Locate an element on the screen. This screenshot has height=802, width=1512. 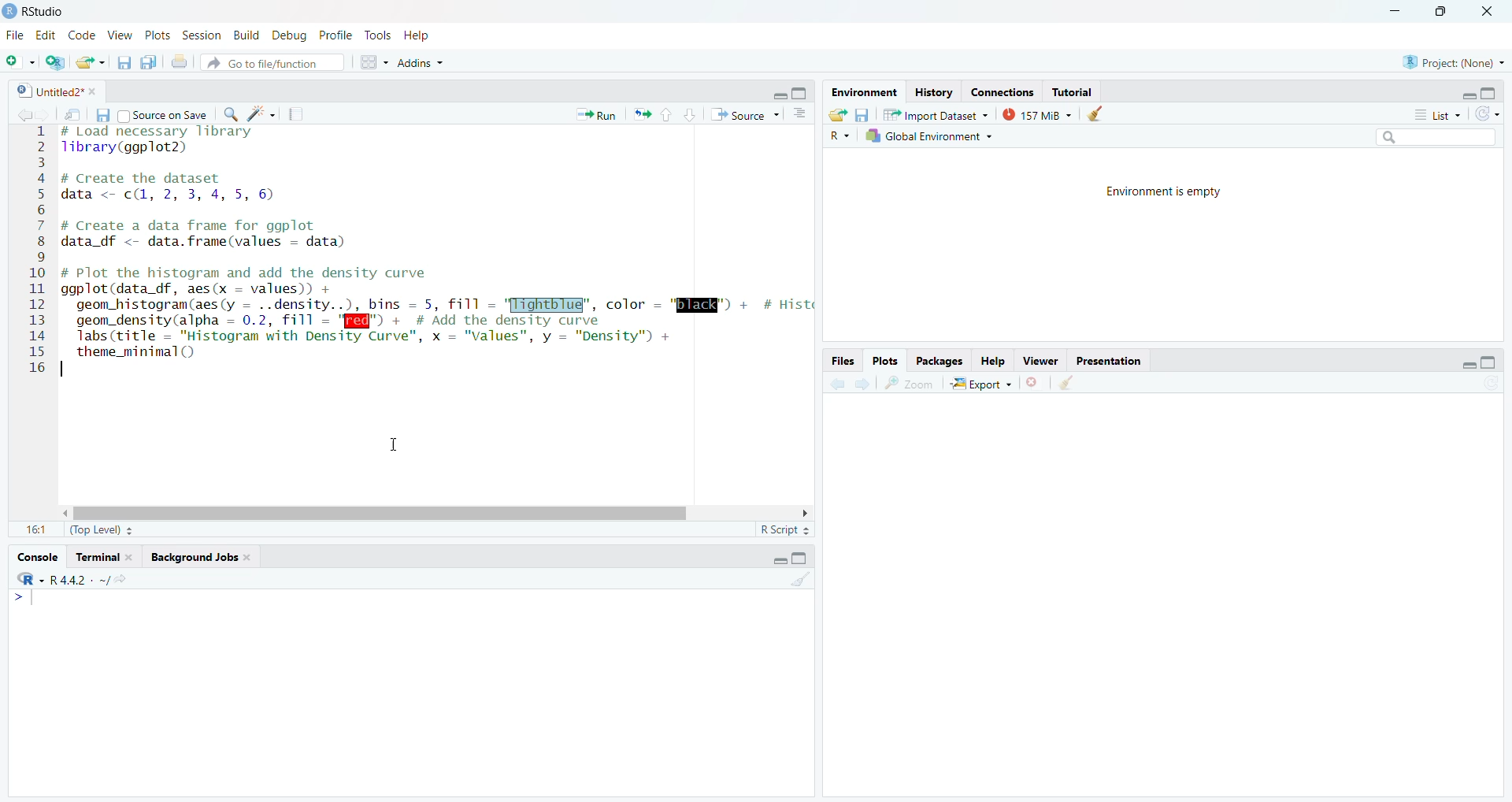
load workspace is located at coordinates (837, 114).